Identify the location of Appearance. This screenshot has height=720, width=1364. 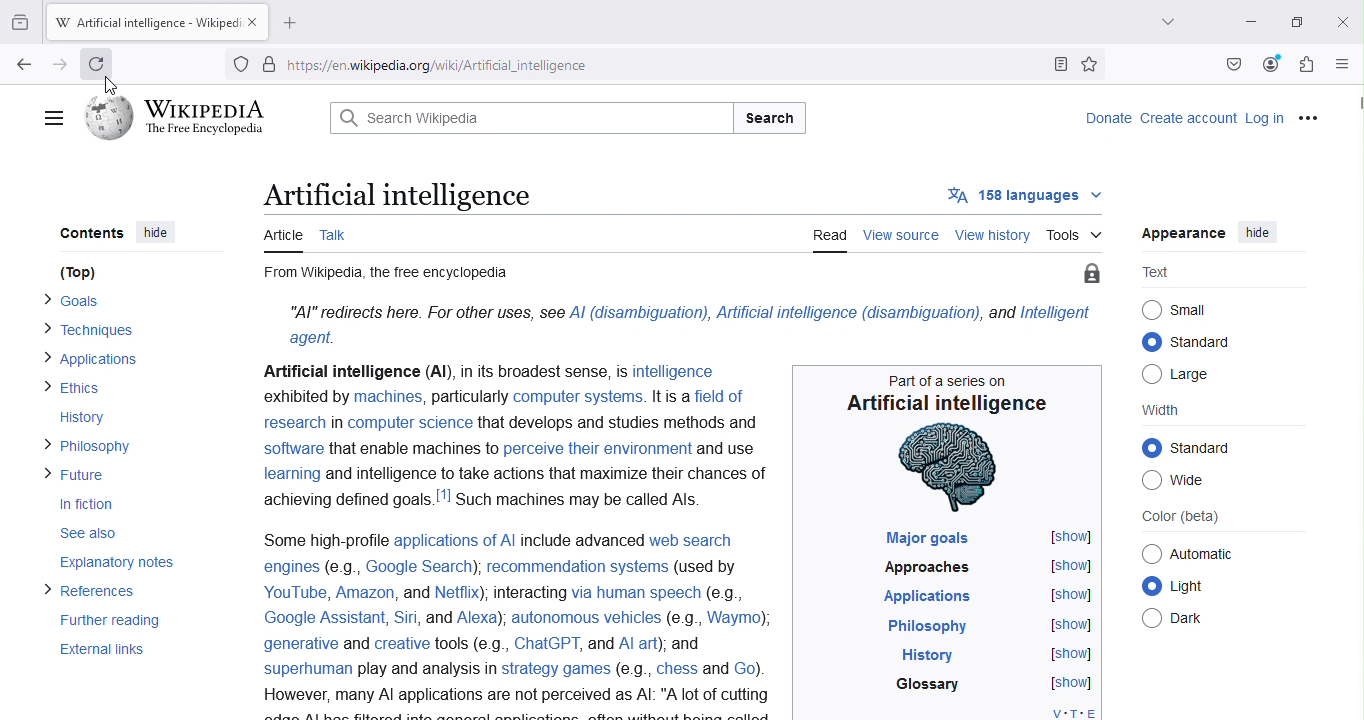
(1185, 236).